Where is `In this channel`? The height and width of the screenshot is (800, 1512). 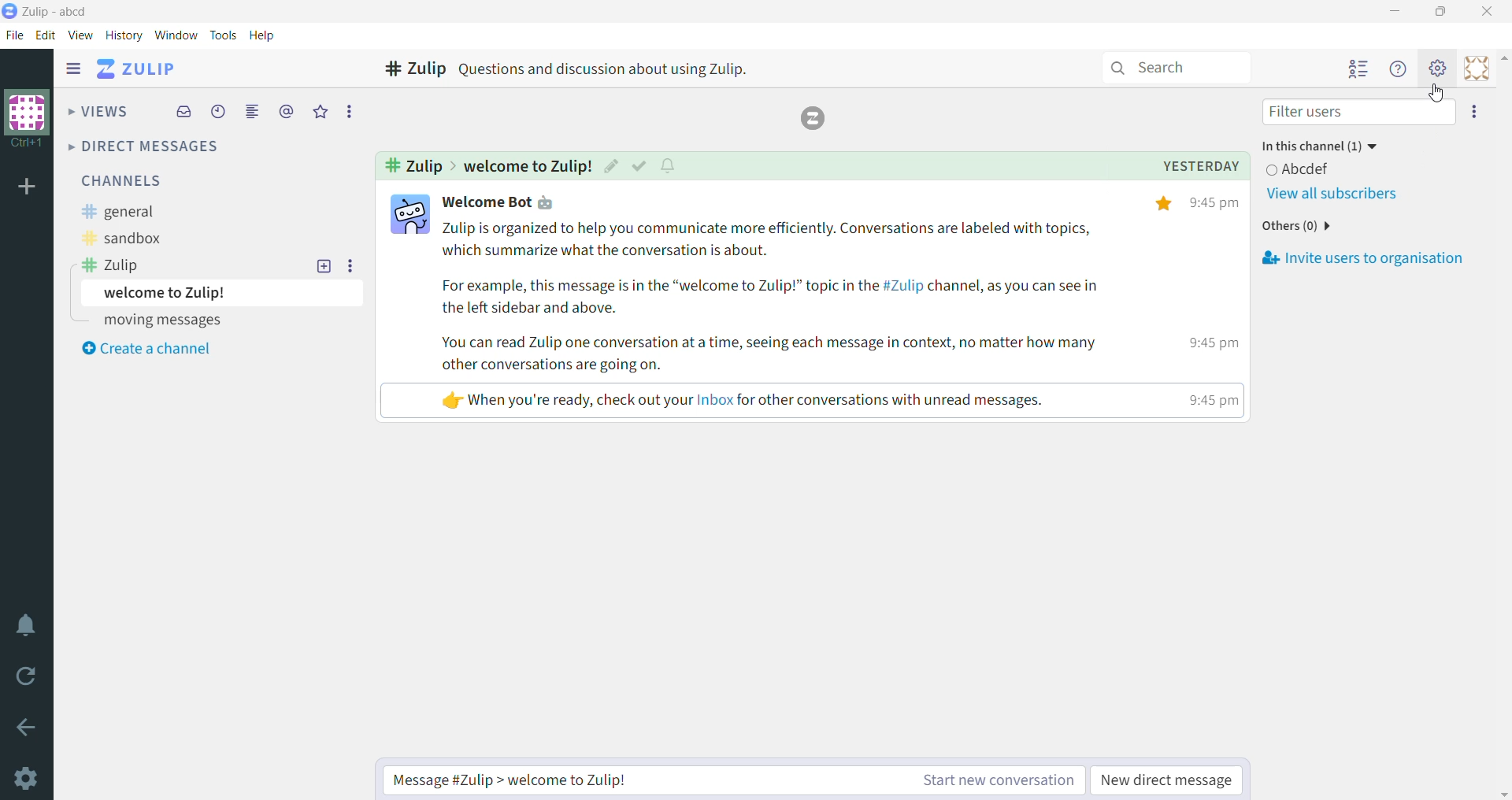 In this channel is located at coordinates (1326, 146).